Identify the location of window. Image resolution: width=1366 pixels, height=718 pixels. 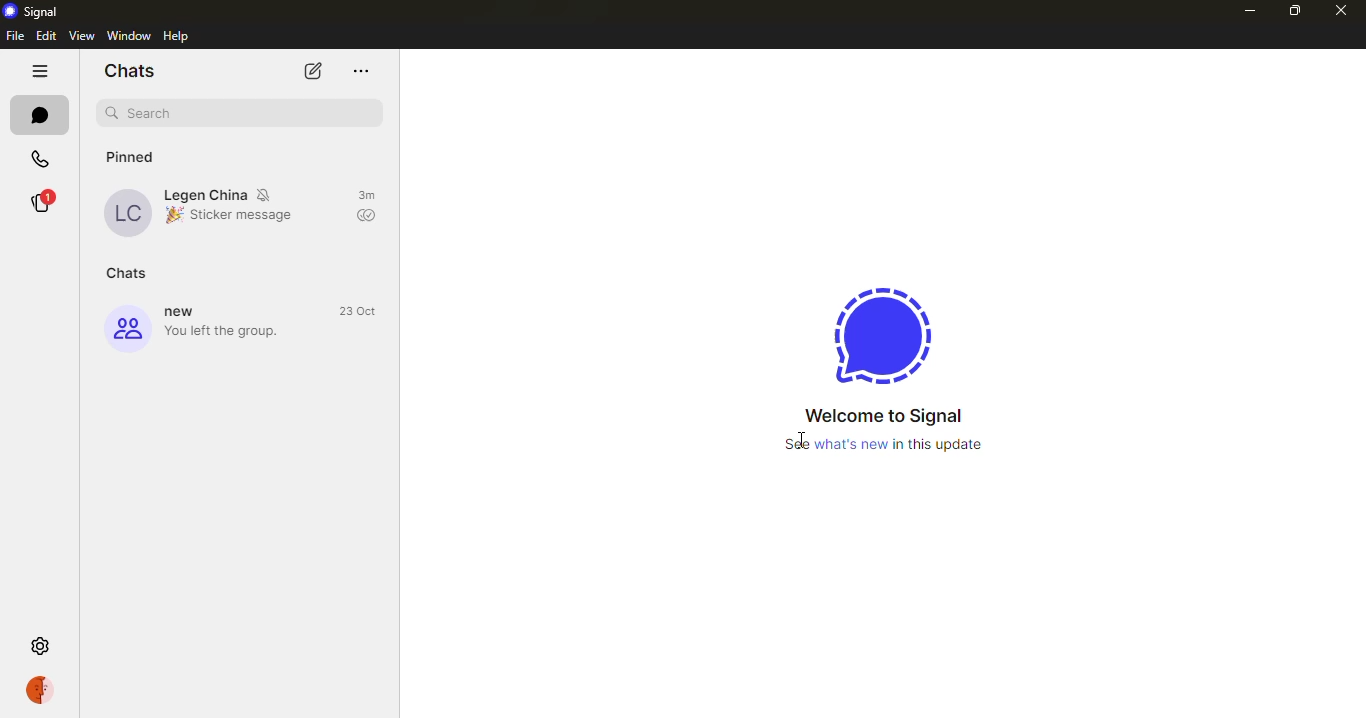
(128, 35).